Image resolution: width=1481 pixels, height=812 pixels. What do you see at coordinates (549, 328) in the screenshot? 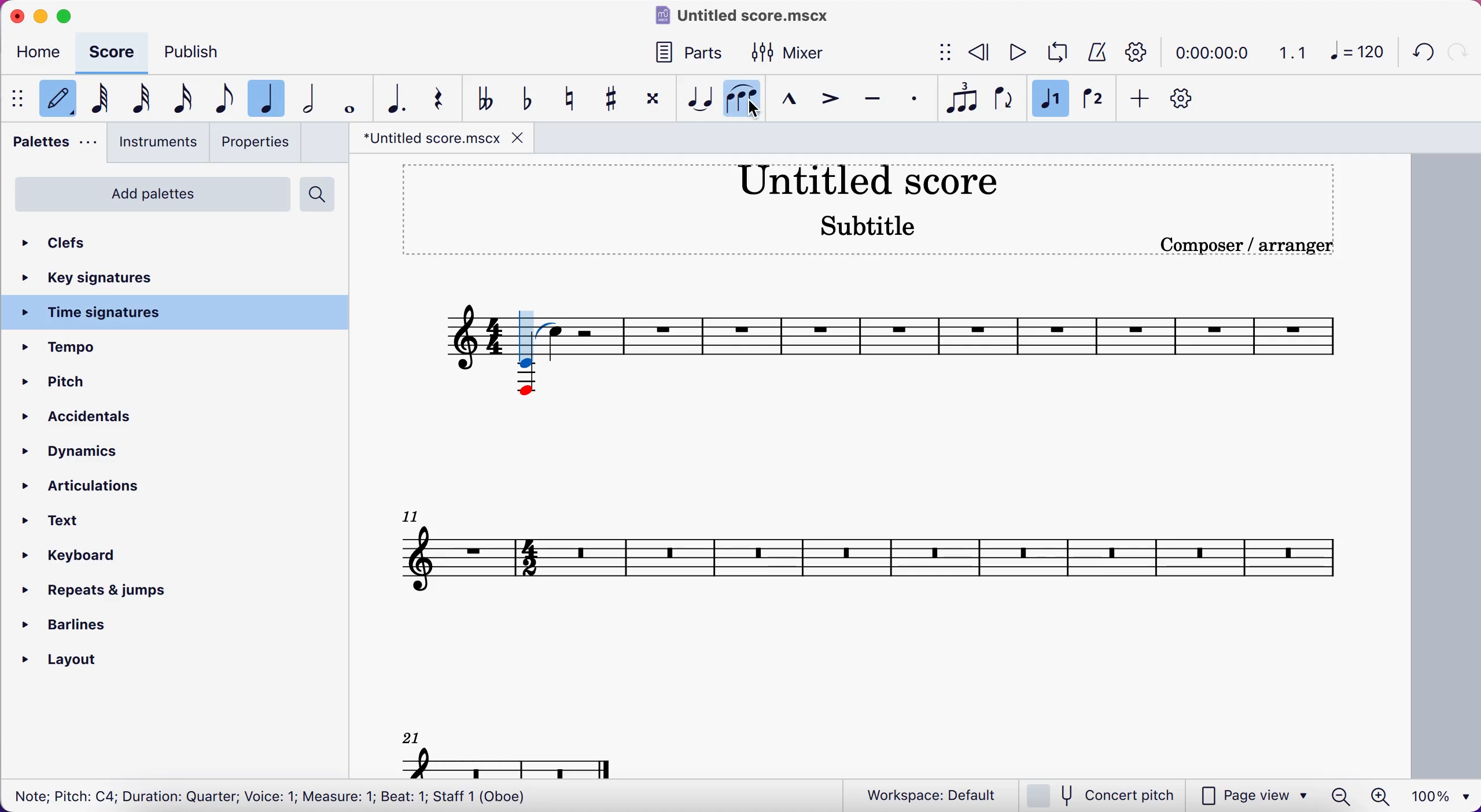
I see `slur applied` at bounding box center [549, 328].